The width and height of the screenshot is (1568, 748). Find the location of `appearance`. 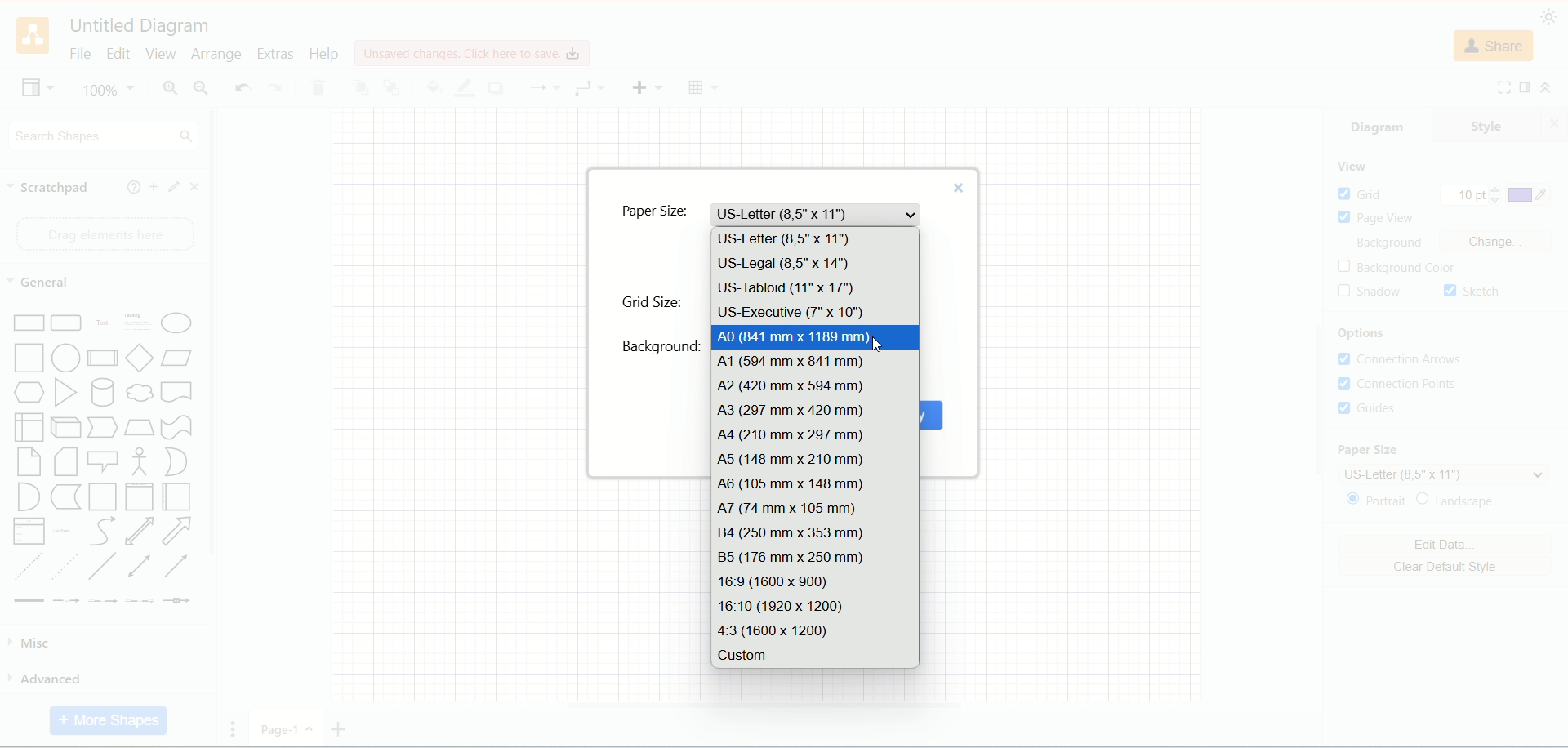

appearance is located at coordinates (1550, 17).